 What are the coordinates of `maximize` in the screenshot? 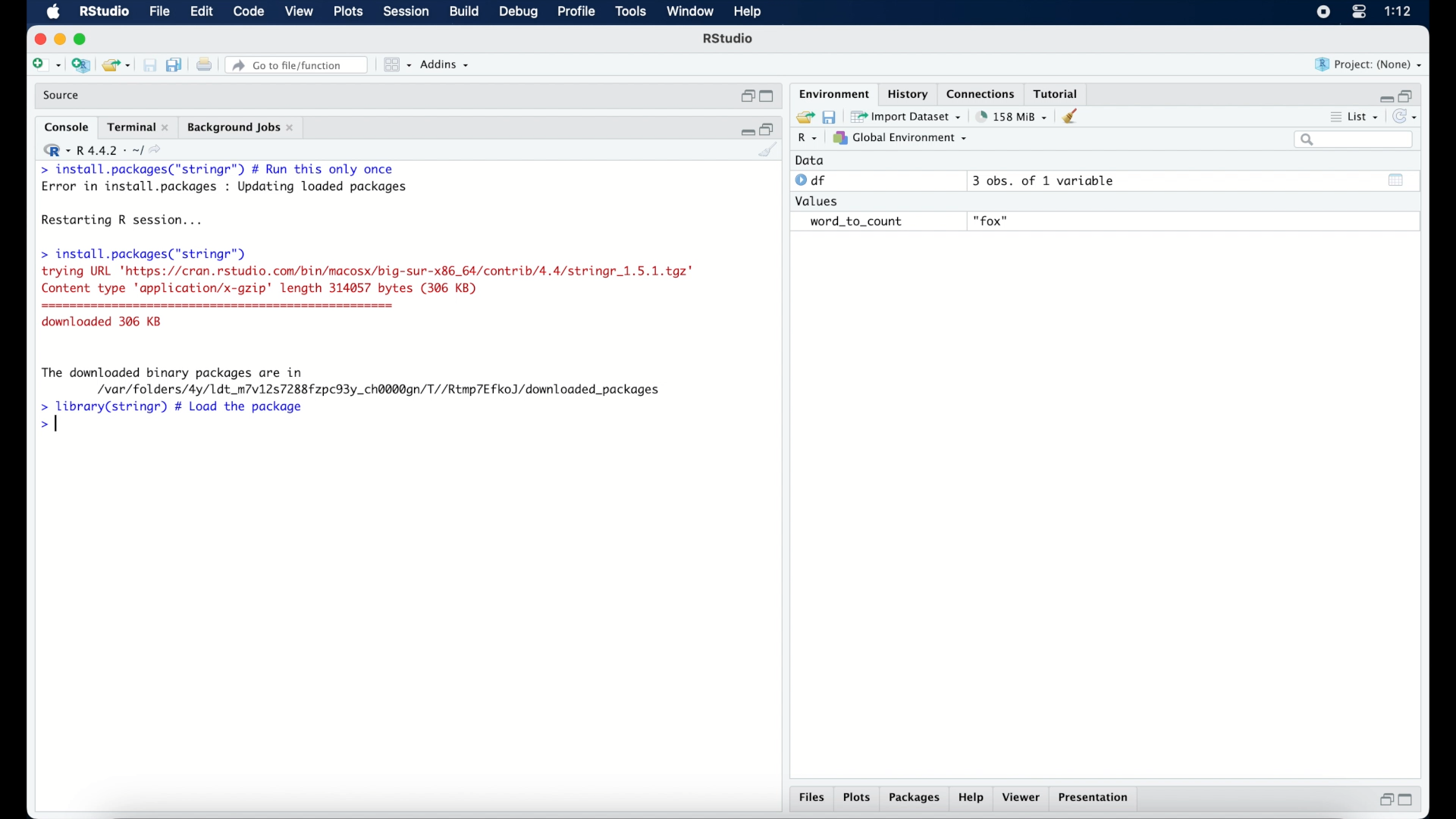 It's located at (83, 39).